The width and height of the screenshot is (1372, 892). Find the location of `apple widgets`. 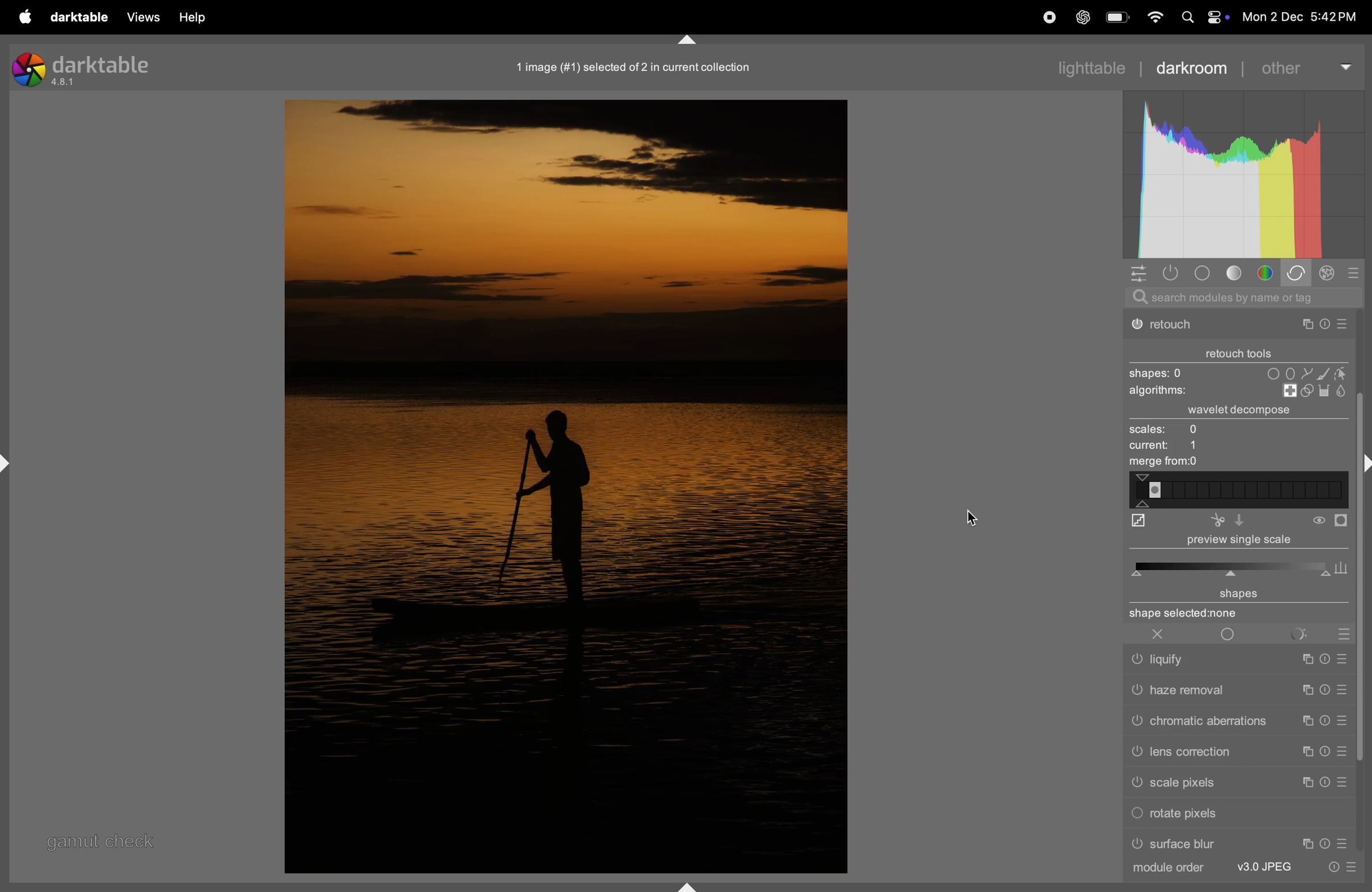

apple widgets is located at coordinates (1201, 17).